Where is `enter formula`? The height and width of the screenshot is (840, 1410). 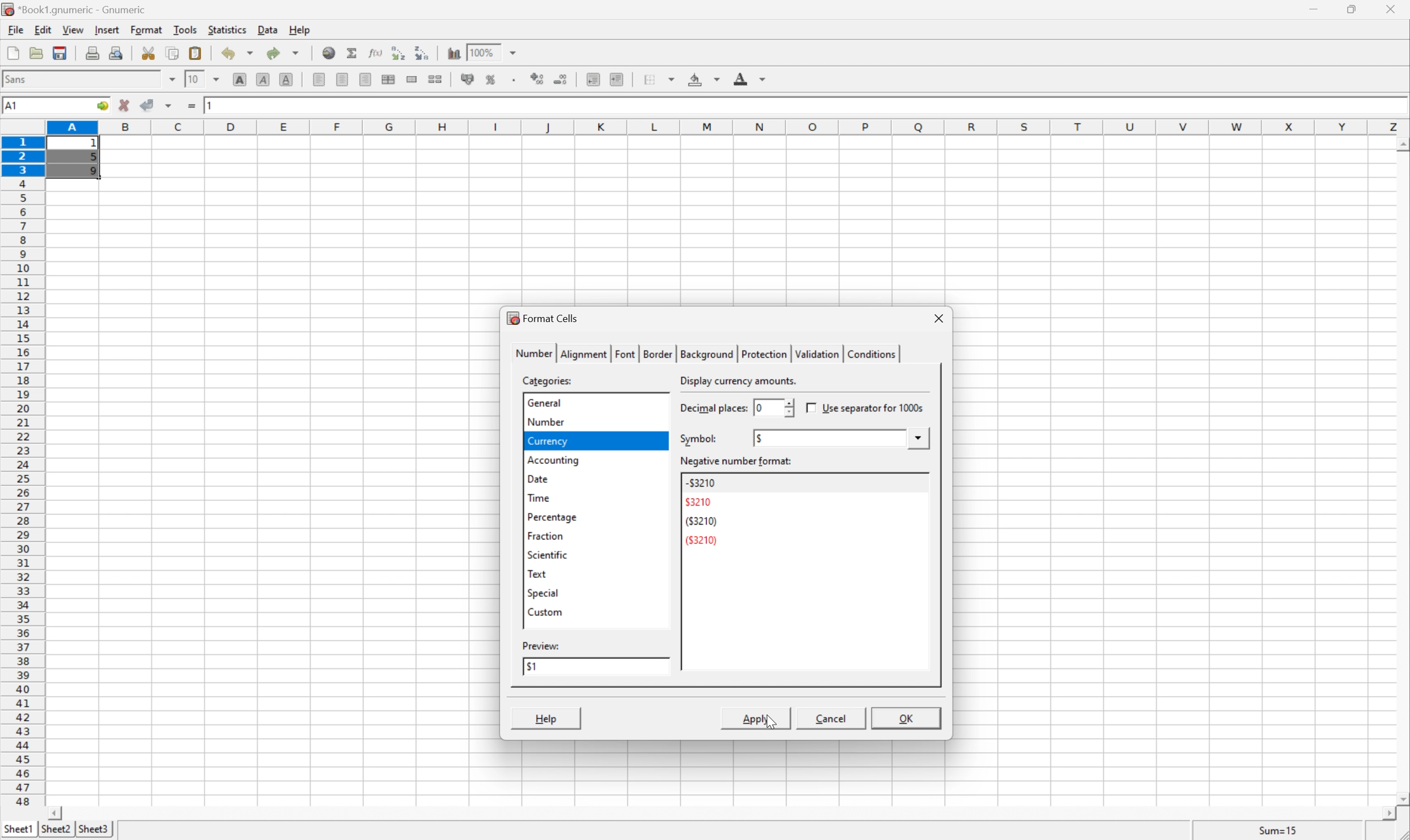 enter formula is located at coordinates (192, 106).